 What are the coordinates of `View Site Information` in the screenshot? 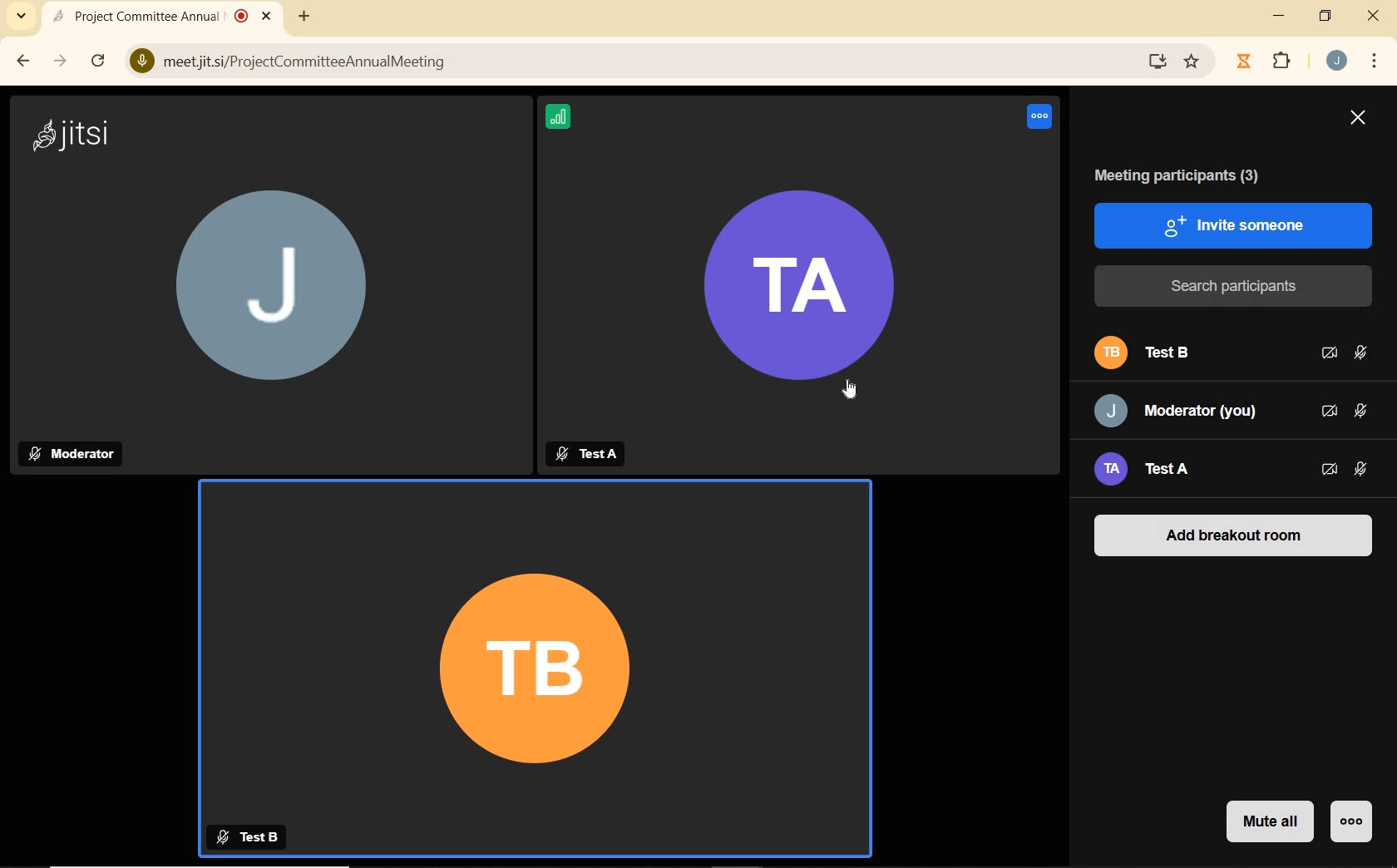 It's located at (138, 62).